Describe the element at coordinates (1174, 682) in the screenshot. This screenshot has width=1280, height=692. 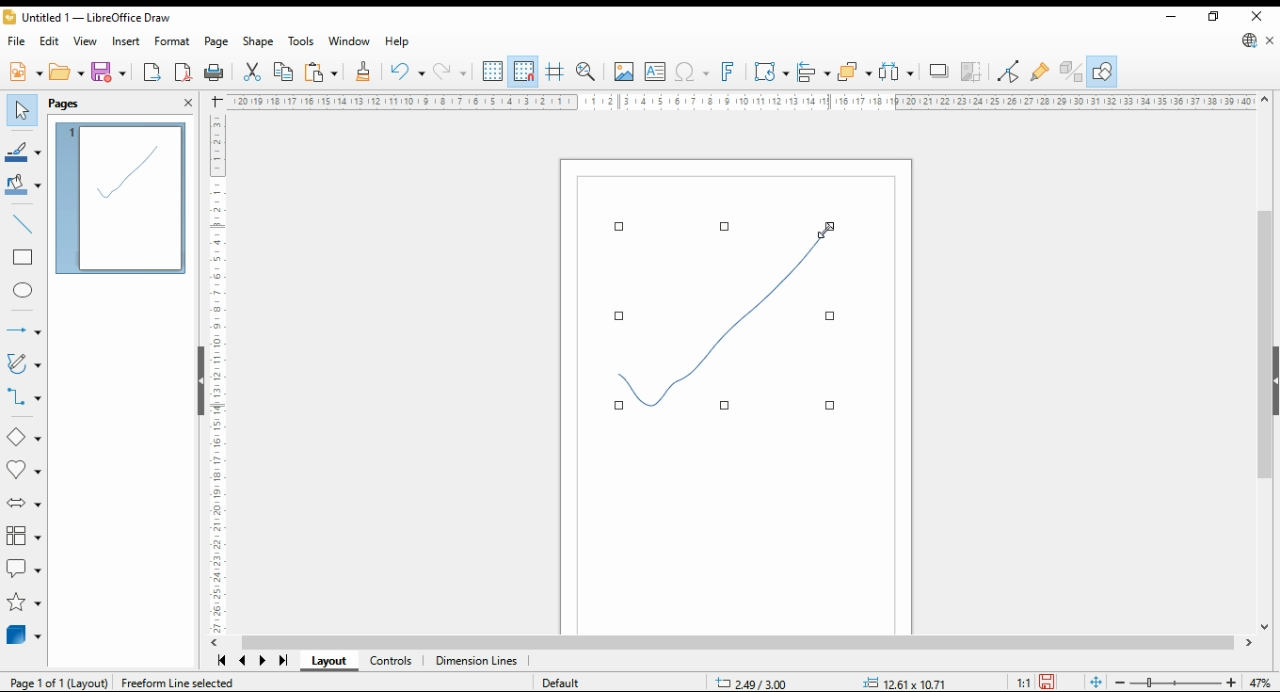
I see `zoom slider` at that location.